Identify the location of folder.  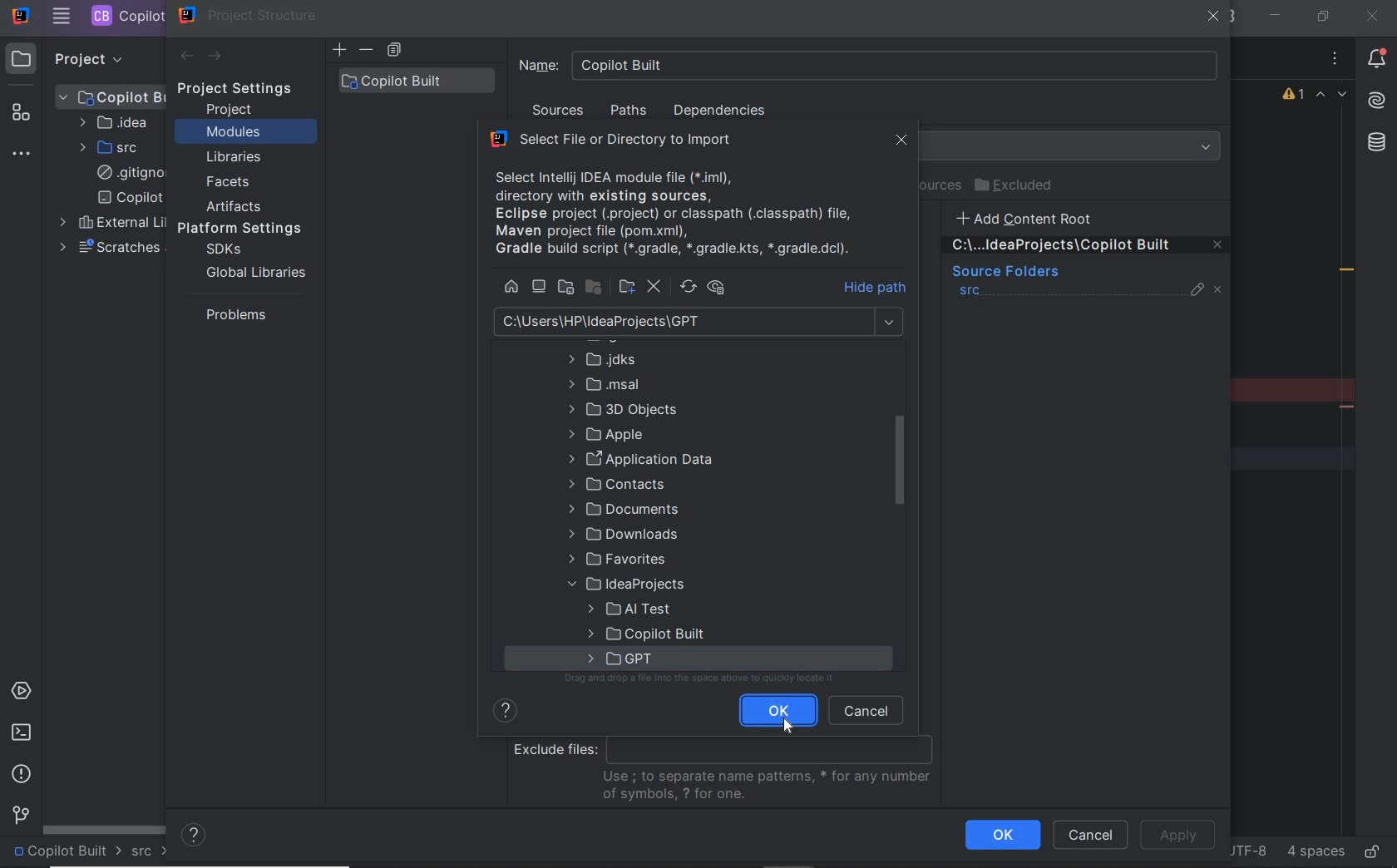
(604, 434).